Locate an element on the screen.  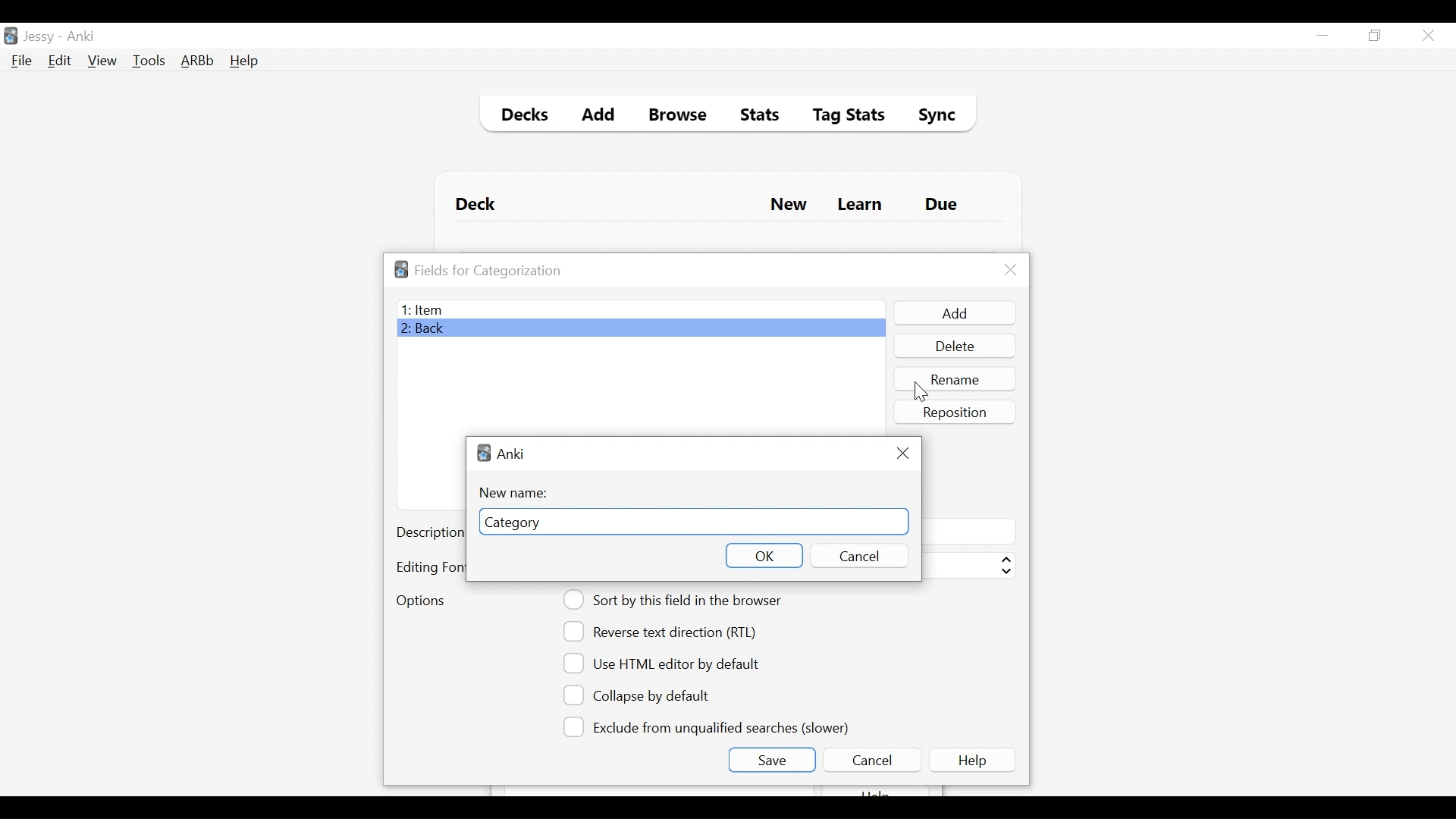
View is located at coordinates (103, 61).